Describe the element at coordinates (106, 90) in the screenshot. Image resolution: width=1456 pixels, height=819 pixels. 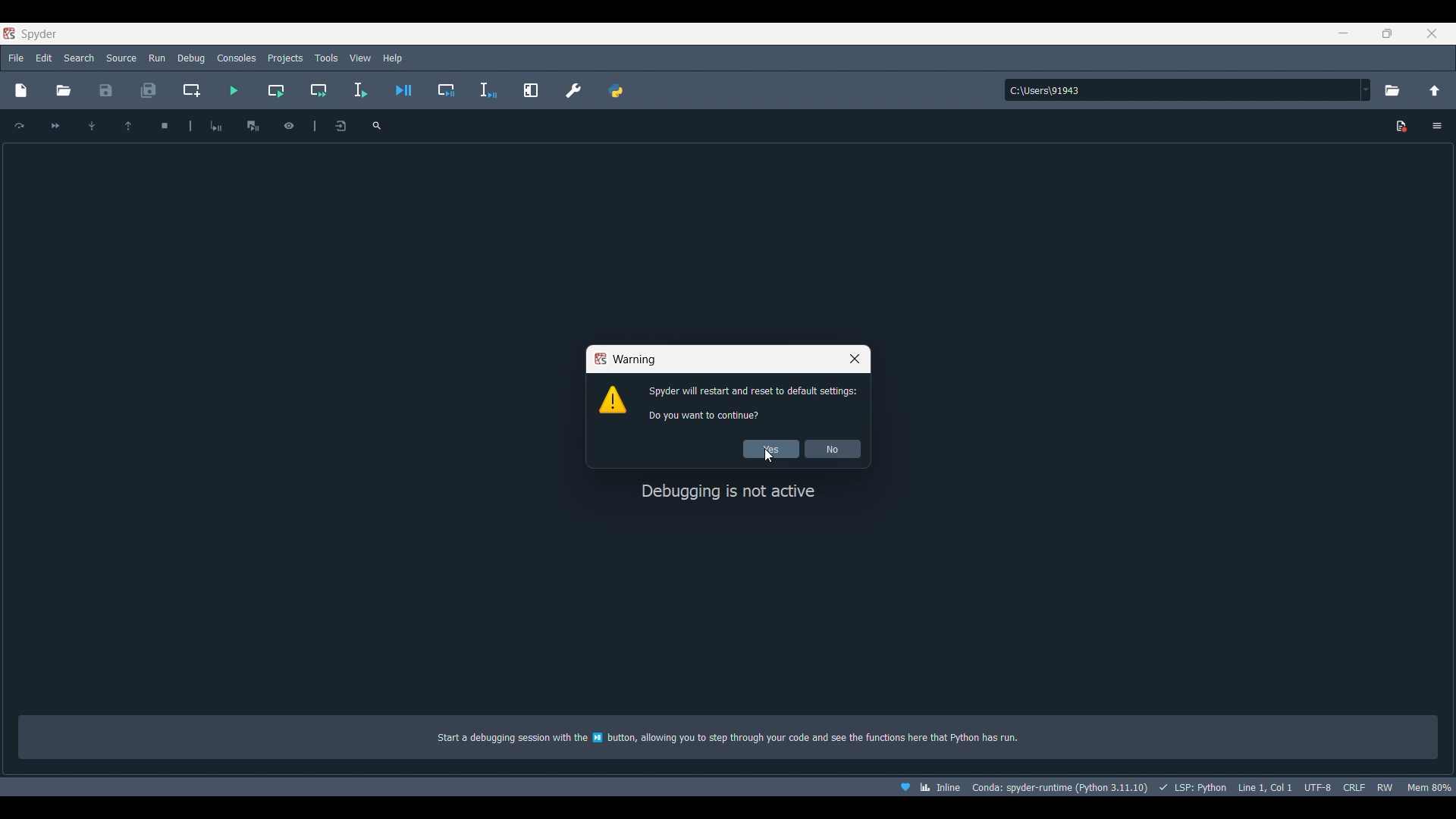
I see `Save` at that location.